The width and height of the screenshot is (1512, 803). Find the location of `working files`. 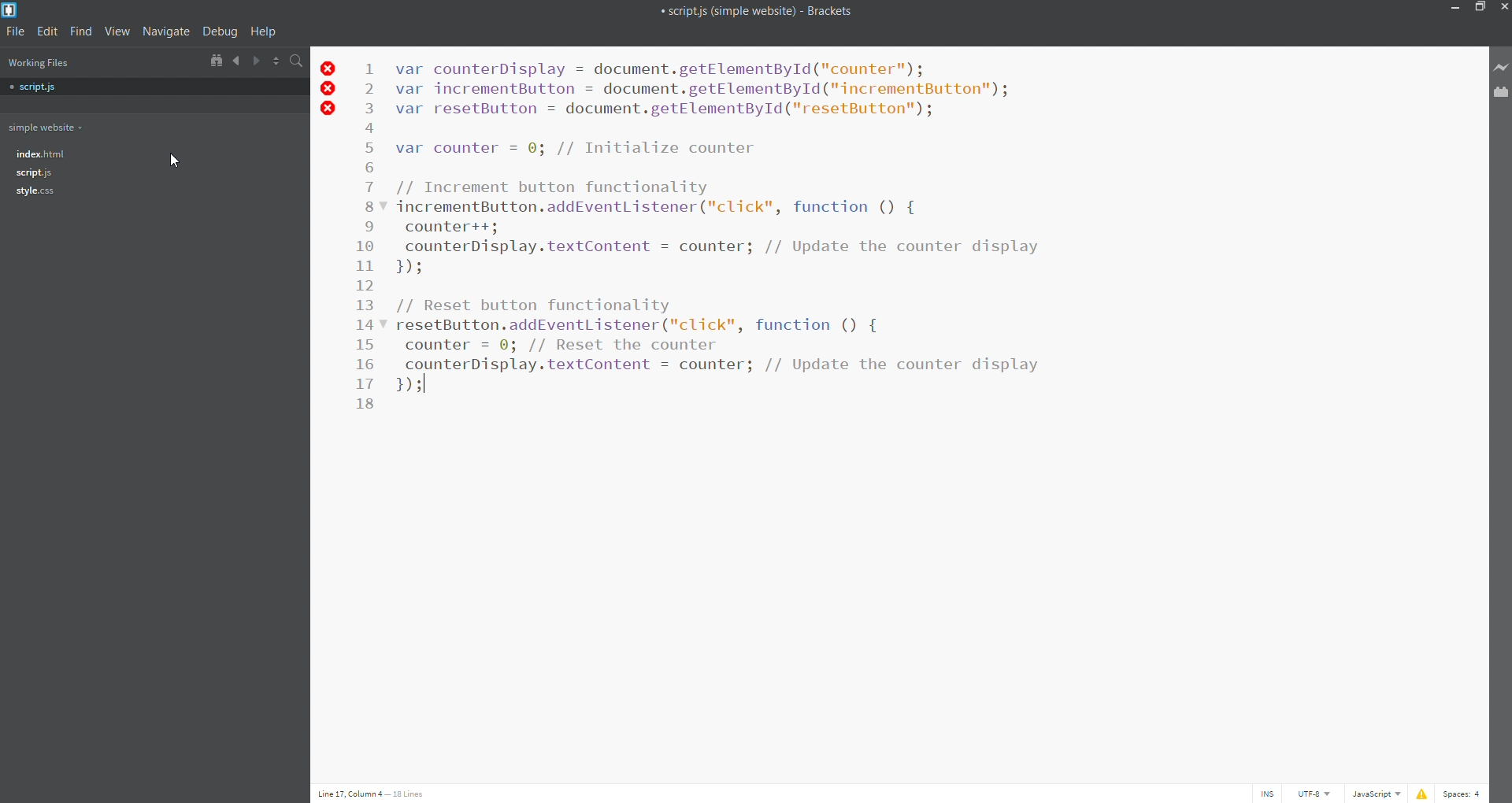

working files is located at coordinates (42, 62).